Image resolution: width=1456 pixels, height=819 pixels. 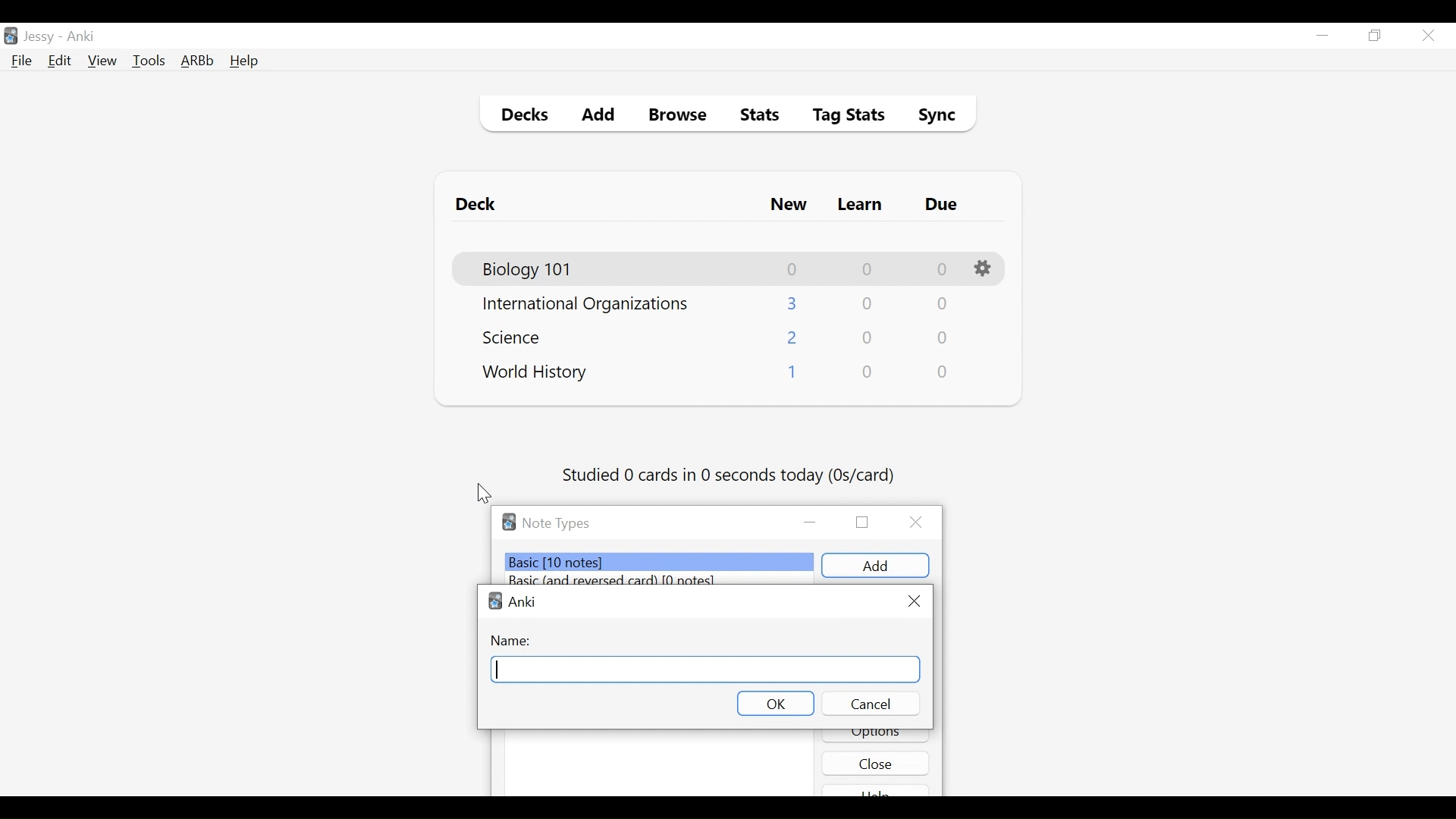 What do you see at coordinates (876, 736) in the screenshot?
I see `Options` at bounding box center [876, 736].